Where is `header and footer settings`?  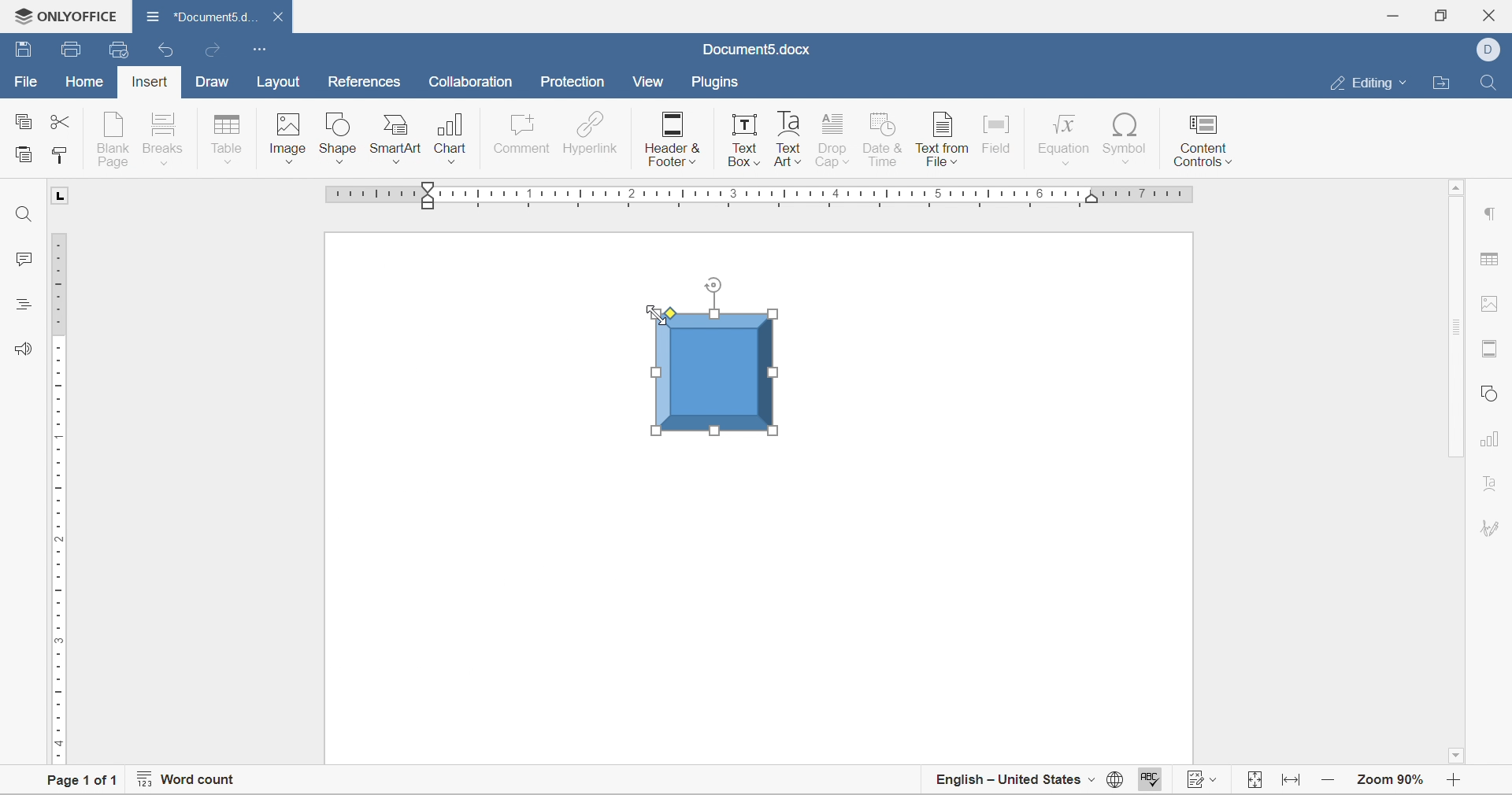
header and footer settings is located at coordinates (1491, 352).